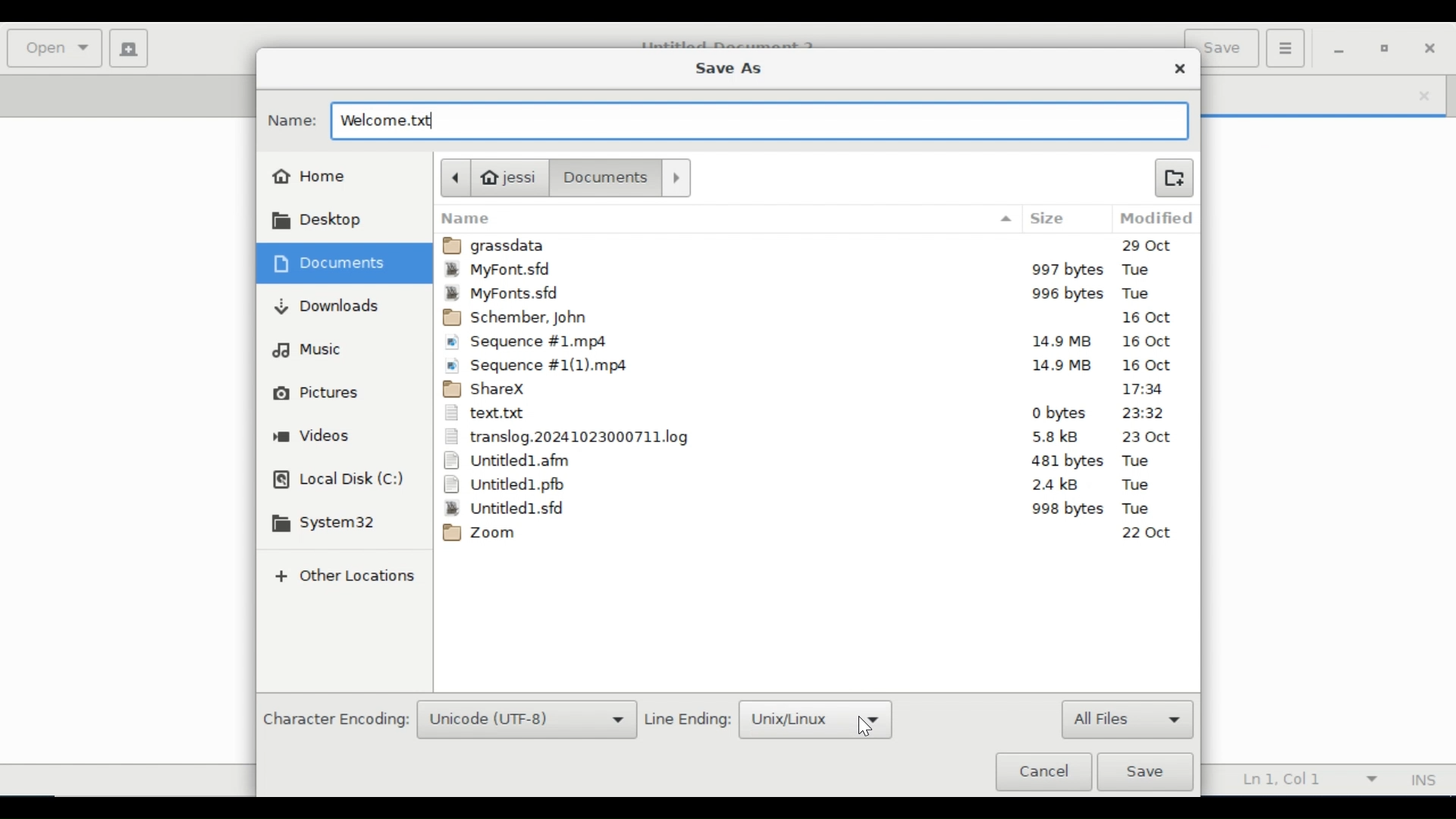  Describe the element at coordinates (726, 70) in the screenshot. I see `Save As` at that location.